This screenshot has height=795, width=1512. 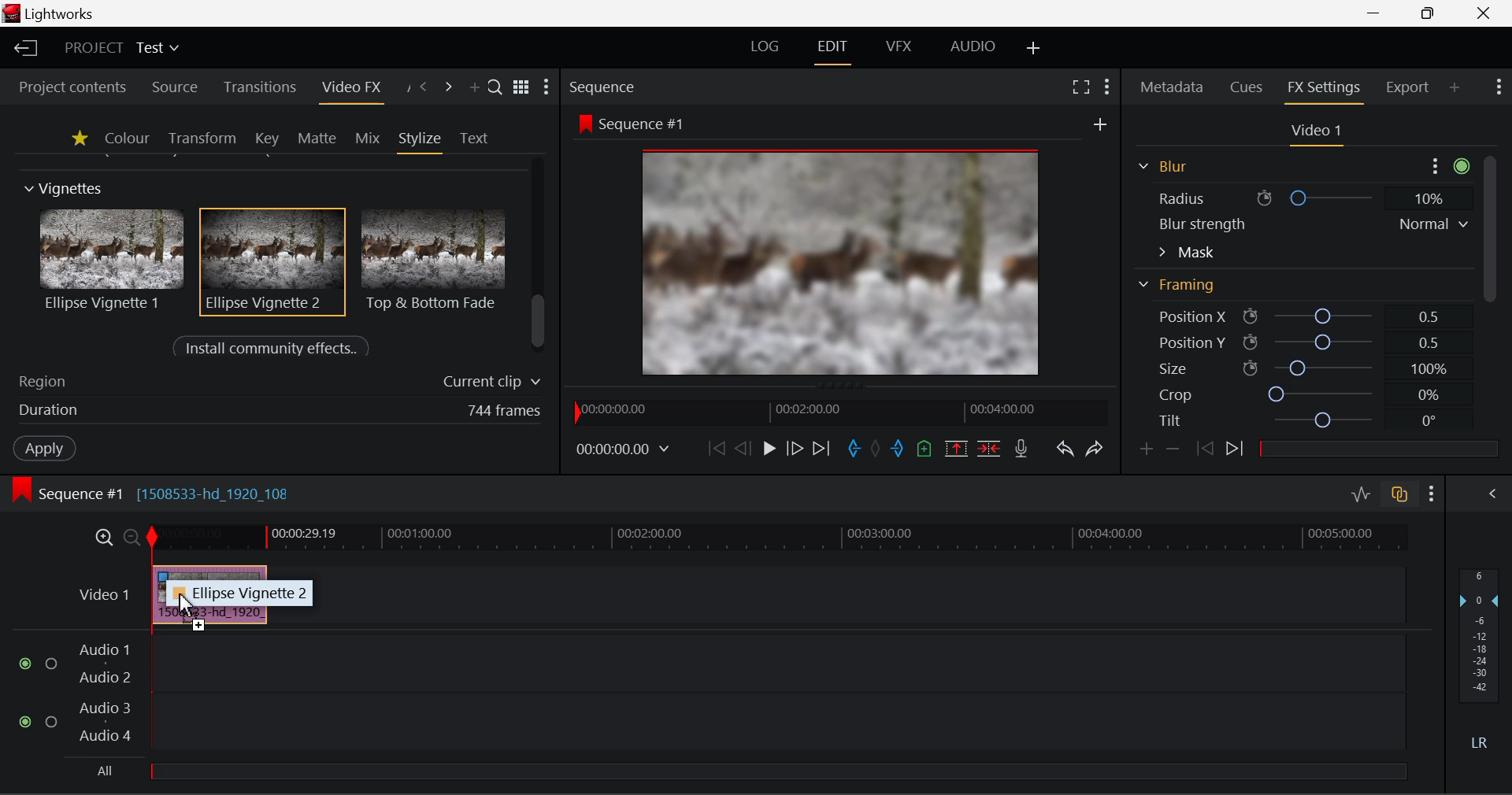 What do you see at coordinates (44, 450) in the screenshot?
I see `Apply` at bounding box center [44, 450].